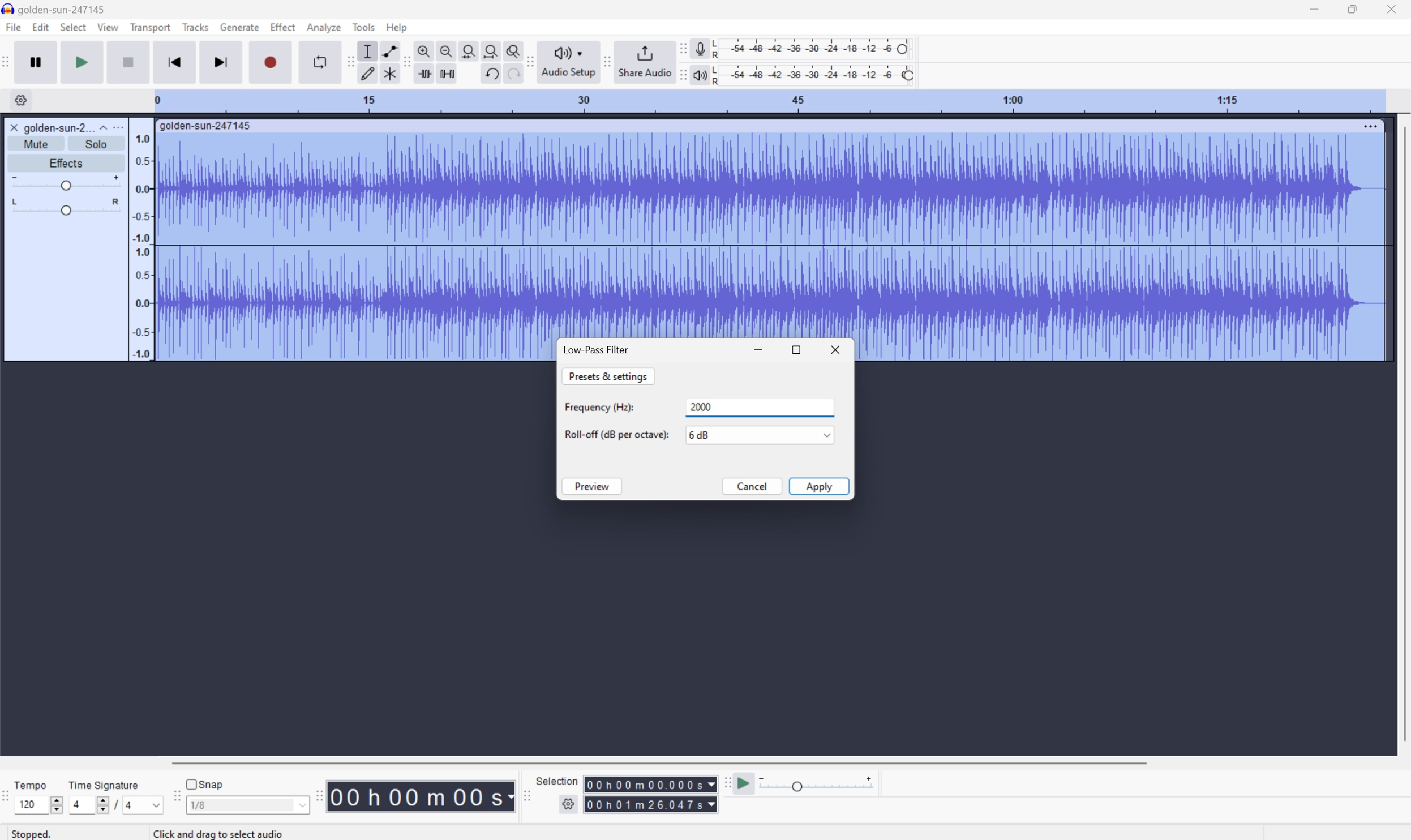 The image size is (1411, 840). I want to click on Audacity toolbar, so click(319, 795).